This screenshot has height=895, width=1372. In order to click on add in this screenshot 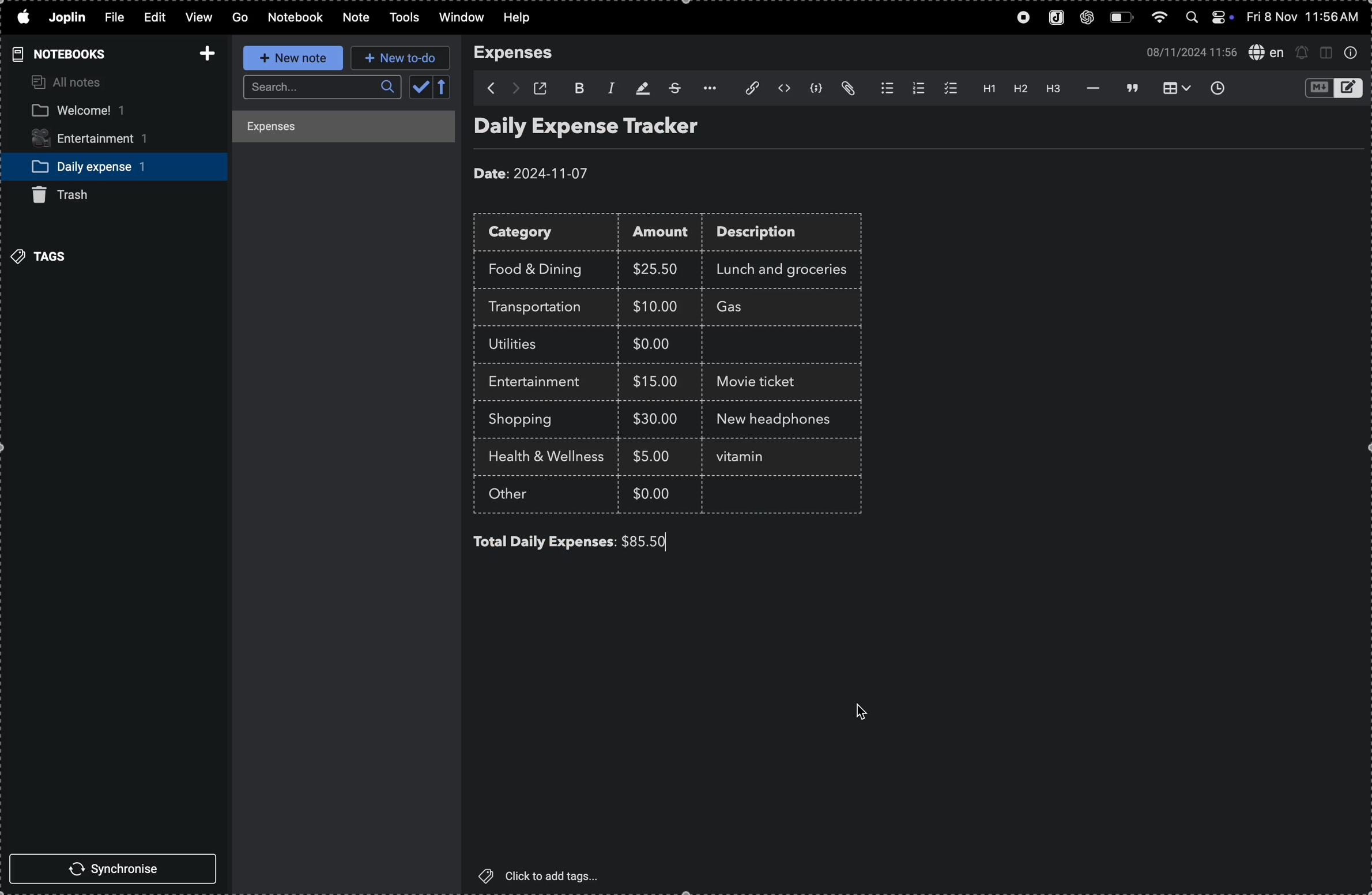, I will do `click(203, 50)`.